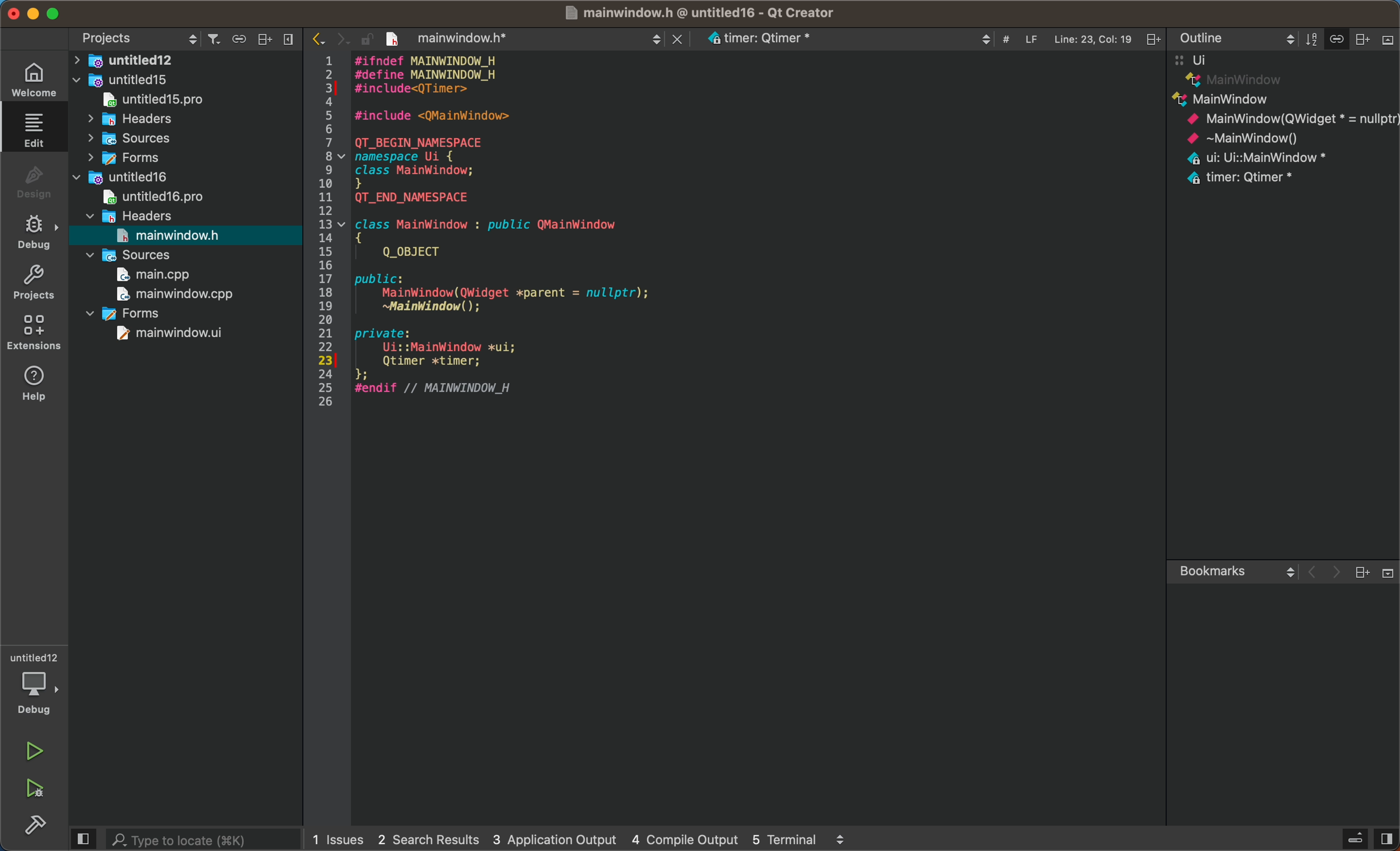  Describe the element at coordinates (445, 364) in the screenshot. I see `timer code` at that location.